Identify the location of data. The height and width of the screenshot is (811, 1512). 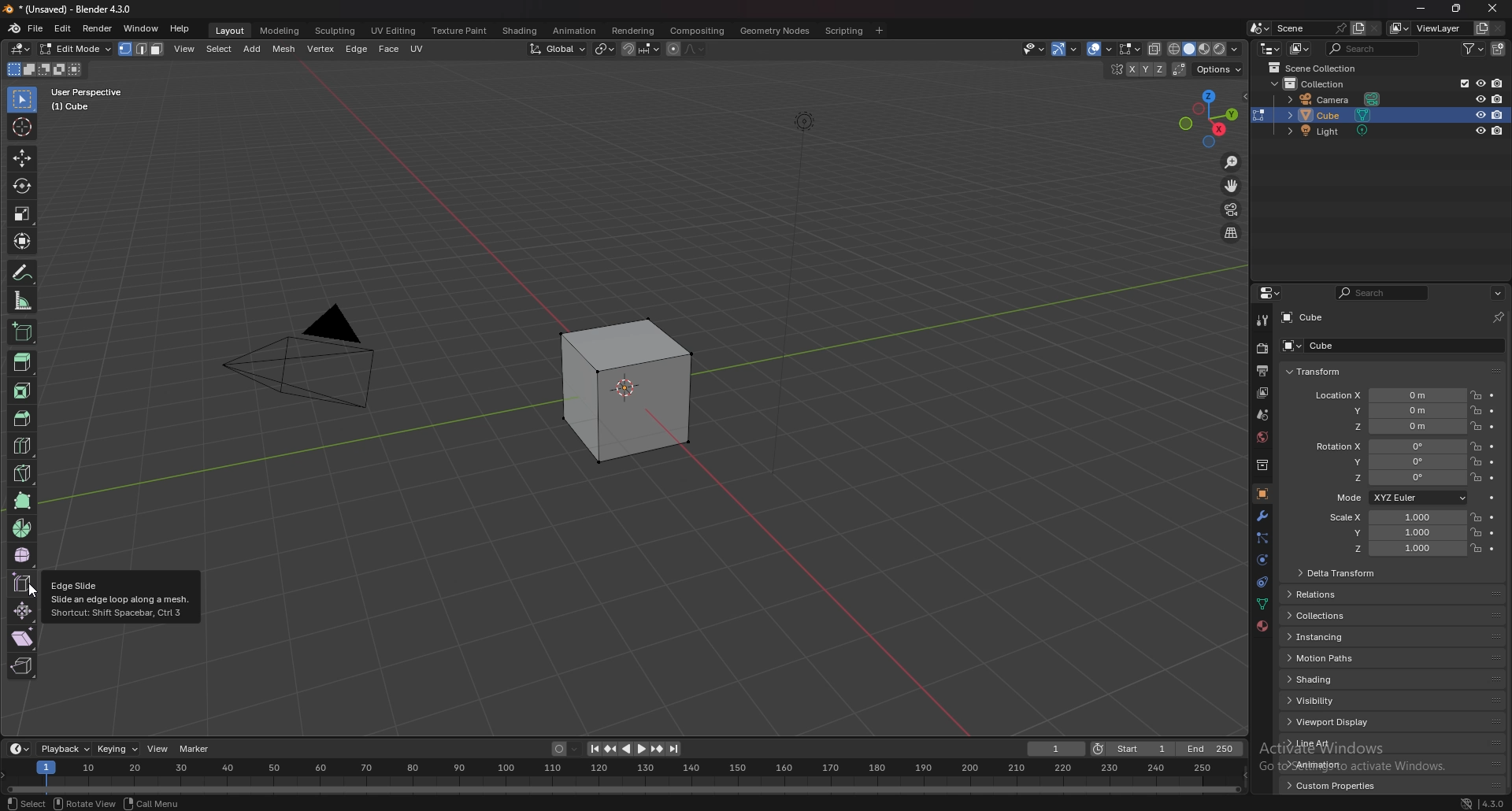
(1262, 604).